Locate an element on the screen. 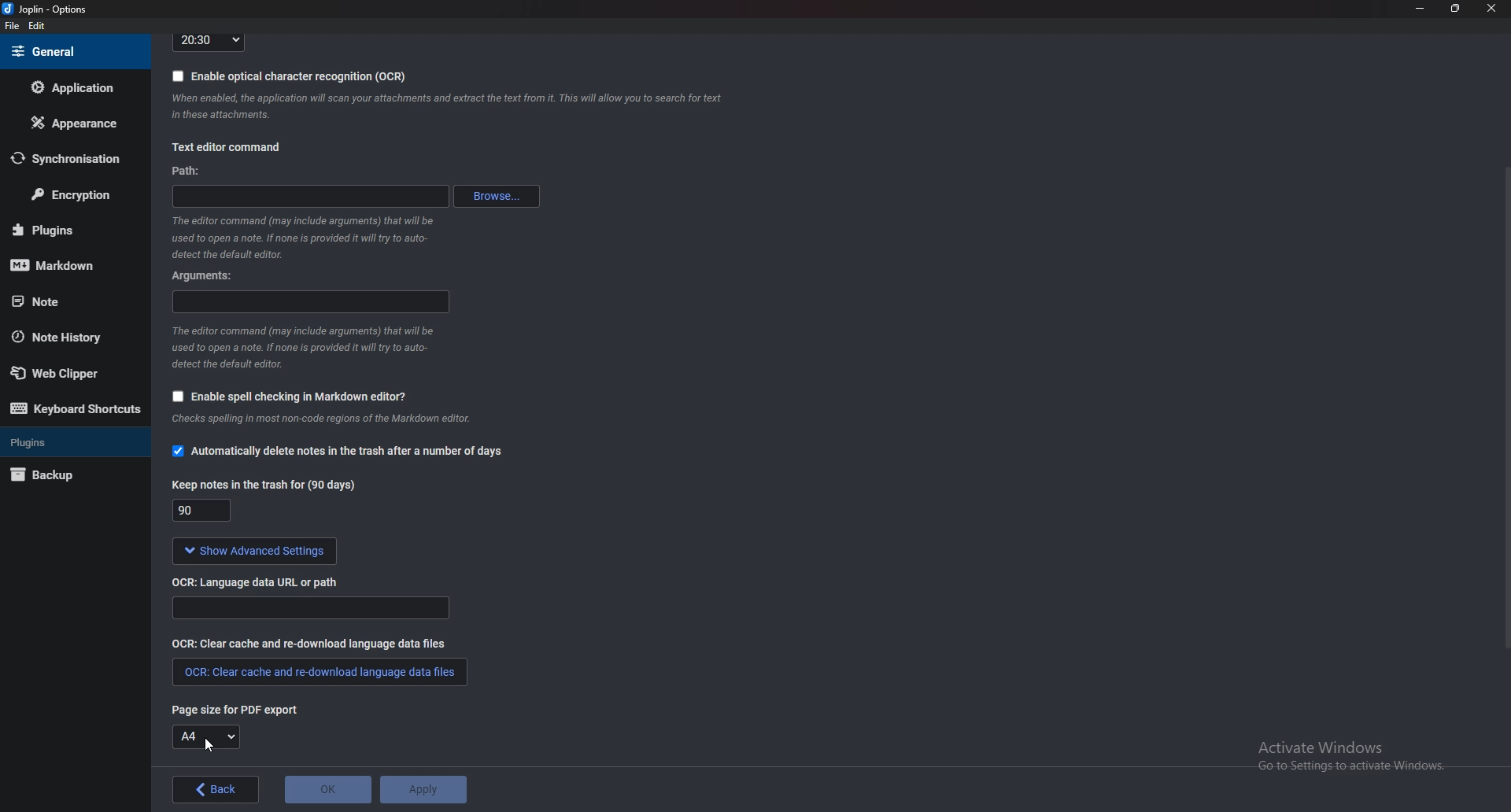  Arguments is located at coordinates (209, 275).